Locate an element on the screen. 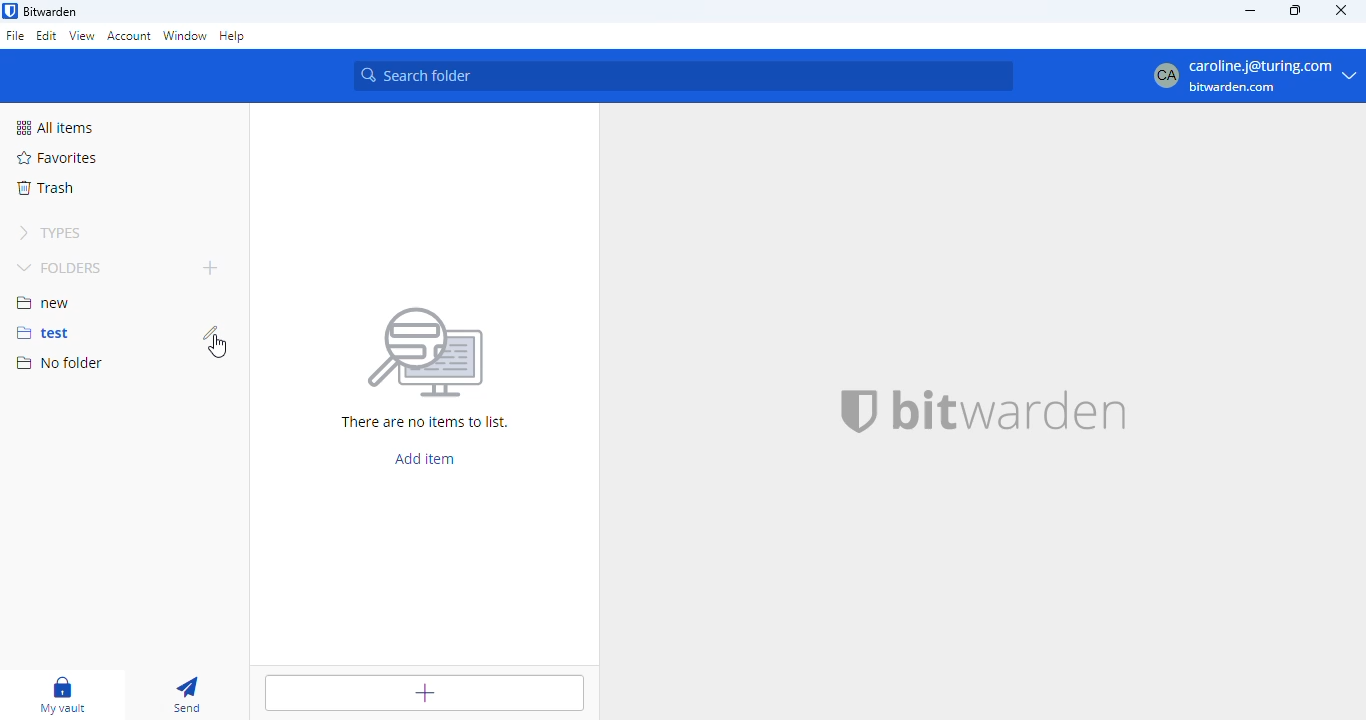  profile is located at coordinates (1253, 77).